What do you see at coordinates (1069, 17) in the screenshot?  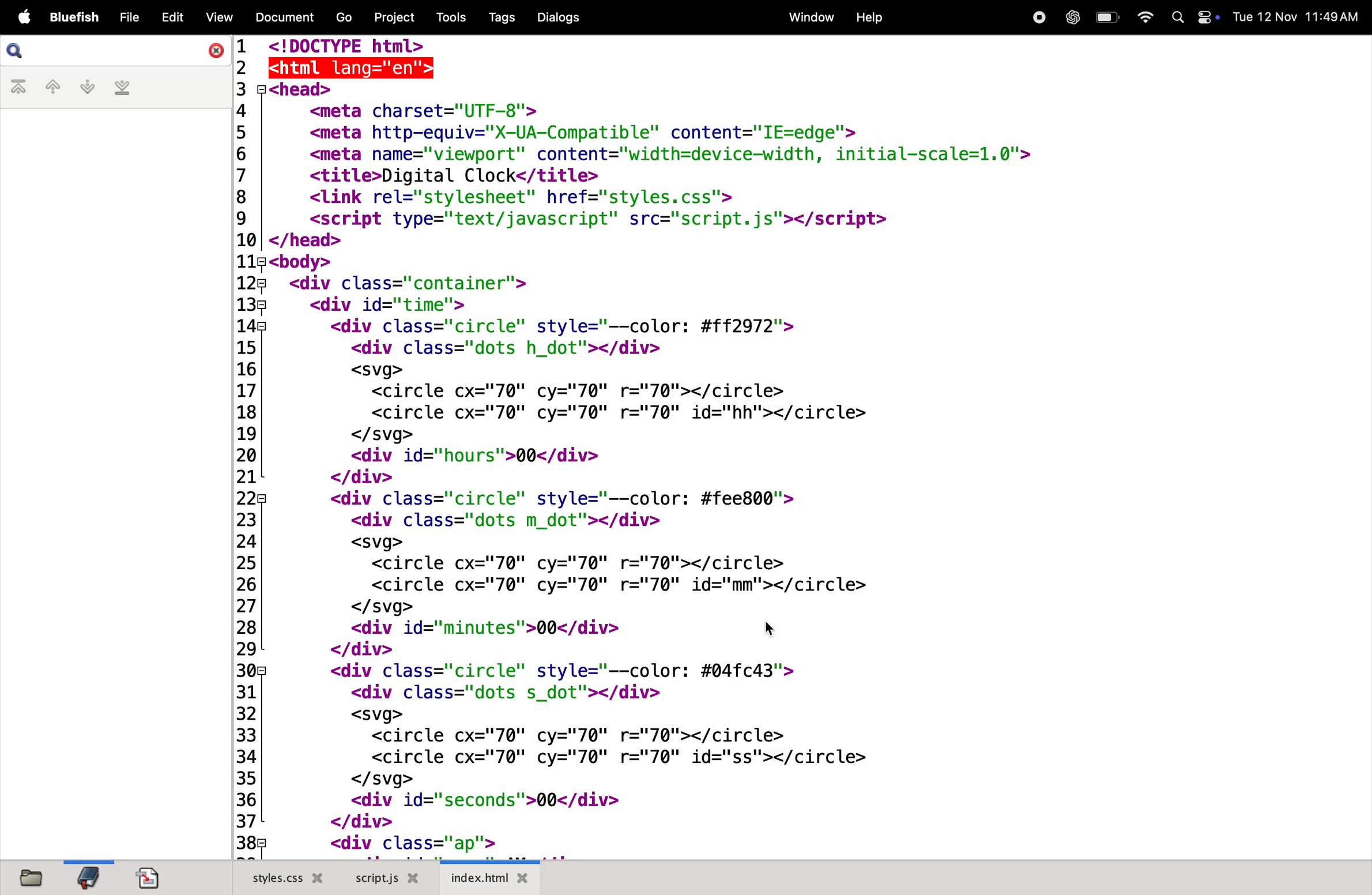 I see `chatgpt` at bounding box center [1069, 17].